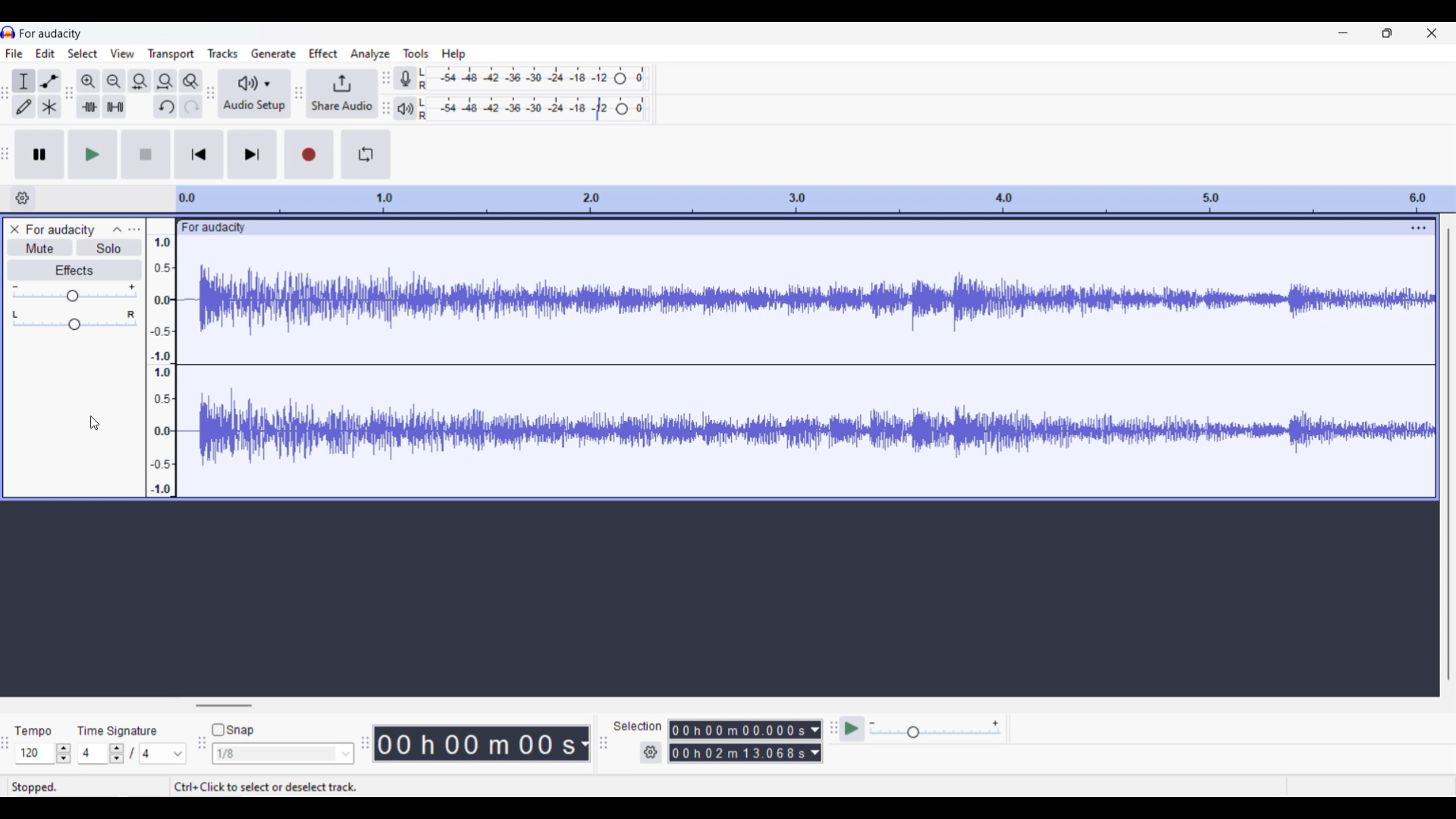 Image resolution: width=1456 pixels, height=819 pixels. Describe the element at coordinates (535, 78) in the screenshot. I see `Recording level` at that location.